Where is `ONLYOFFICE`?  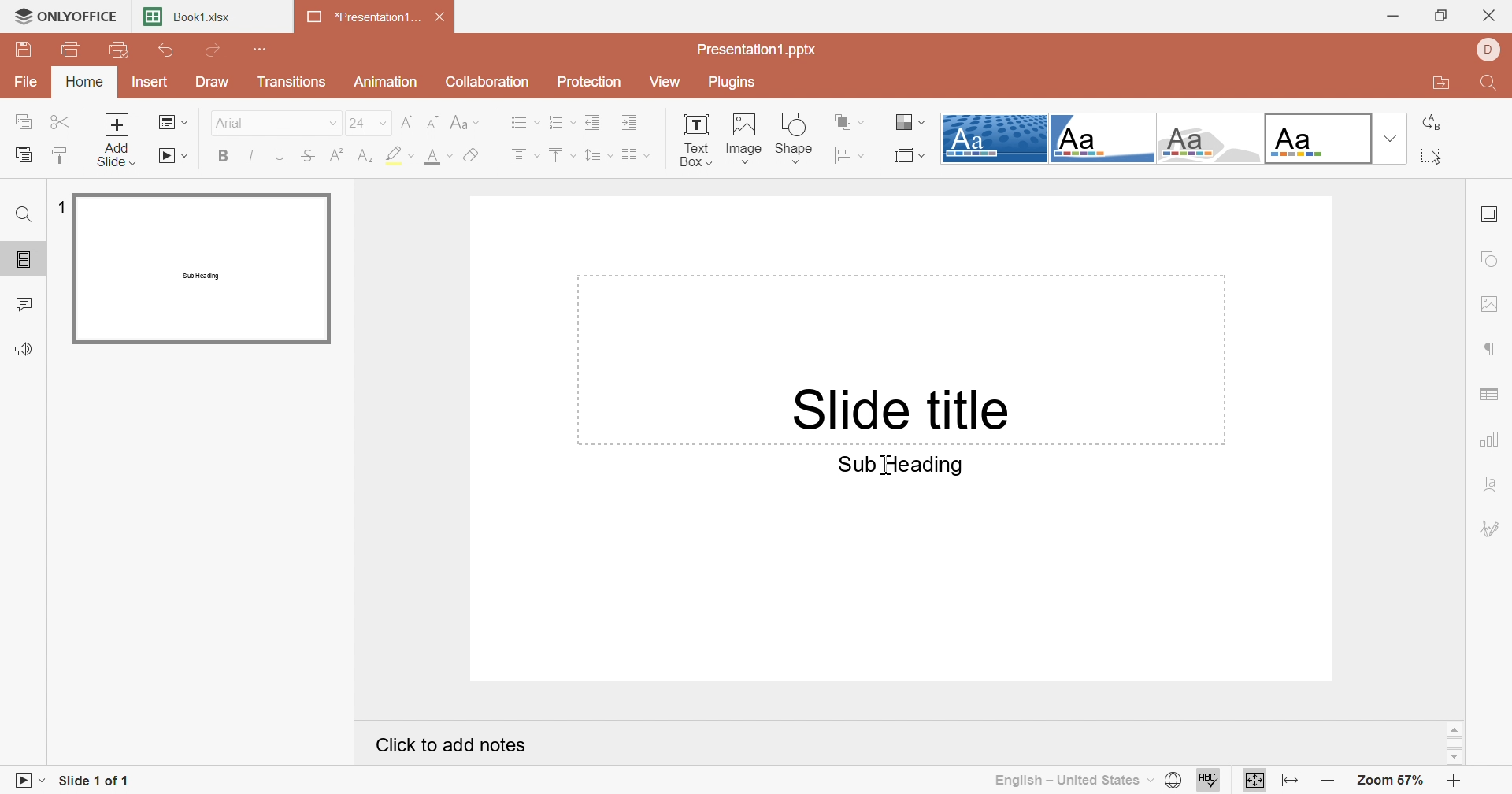 ONLYOFFICE is located at coordinates (65, 17).